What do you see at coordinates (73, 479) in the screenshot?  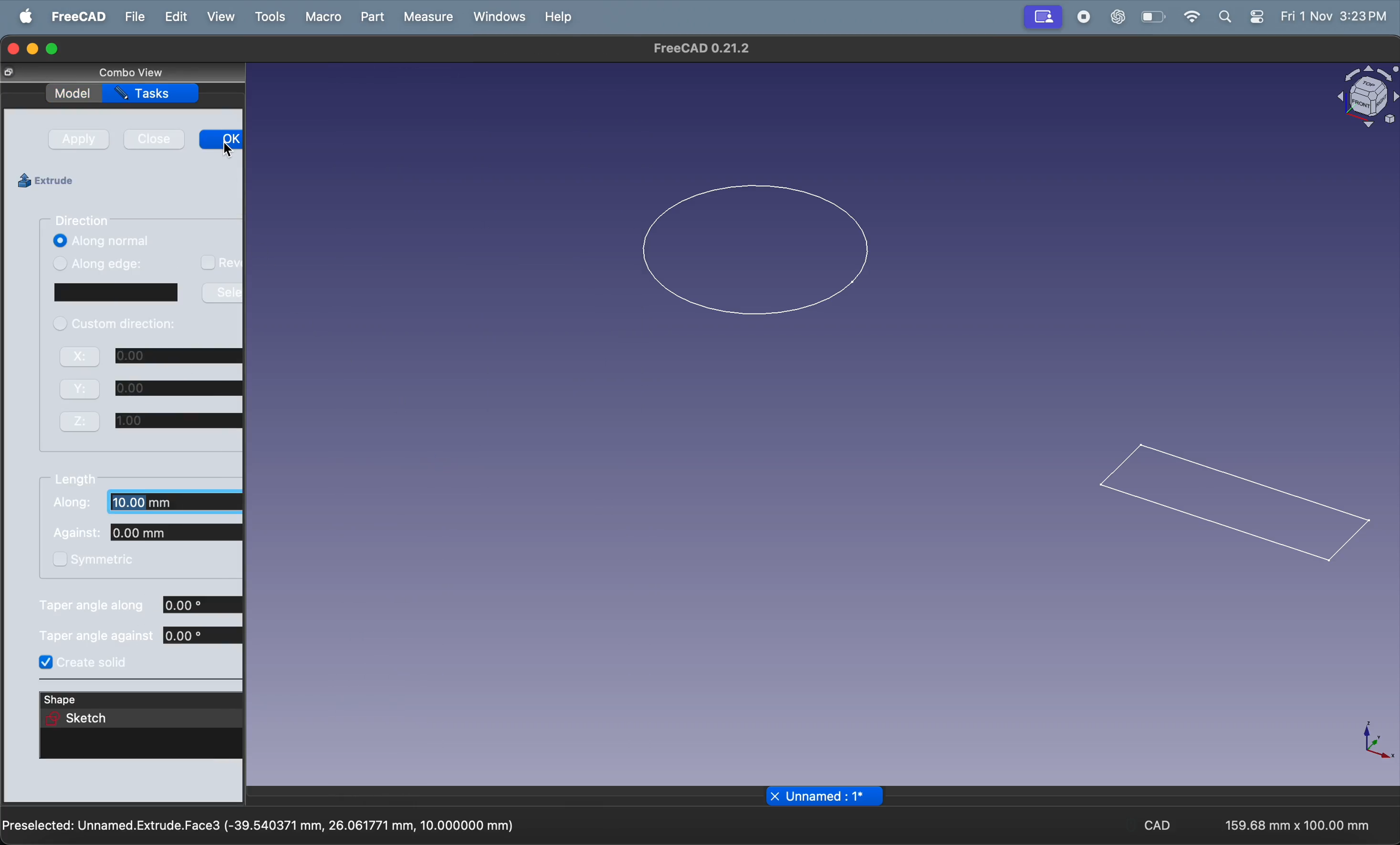 I see `length` at bounding box center [73, 479].